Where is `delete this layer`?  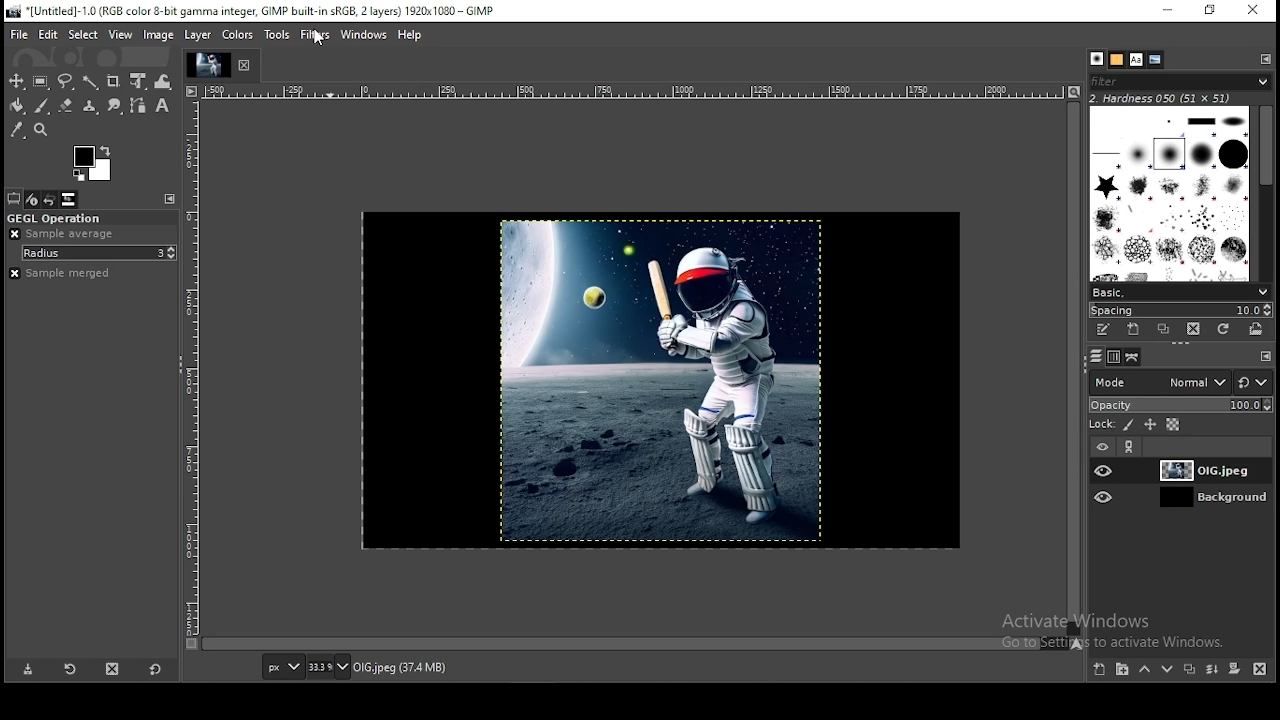
delete this layer is located at coordinates (1260, 670).